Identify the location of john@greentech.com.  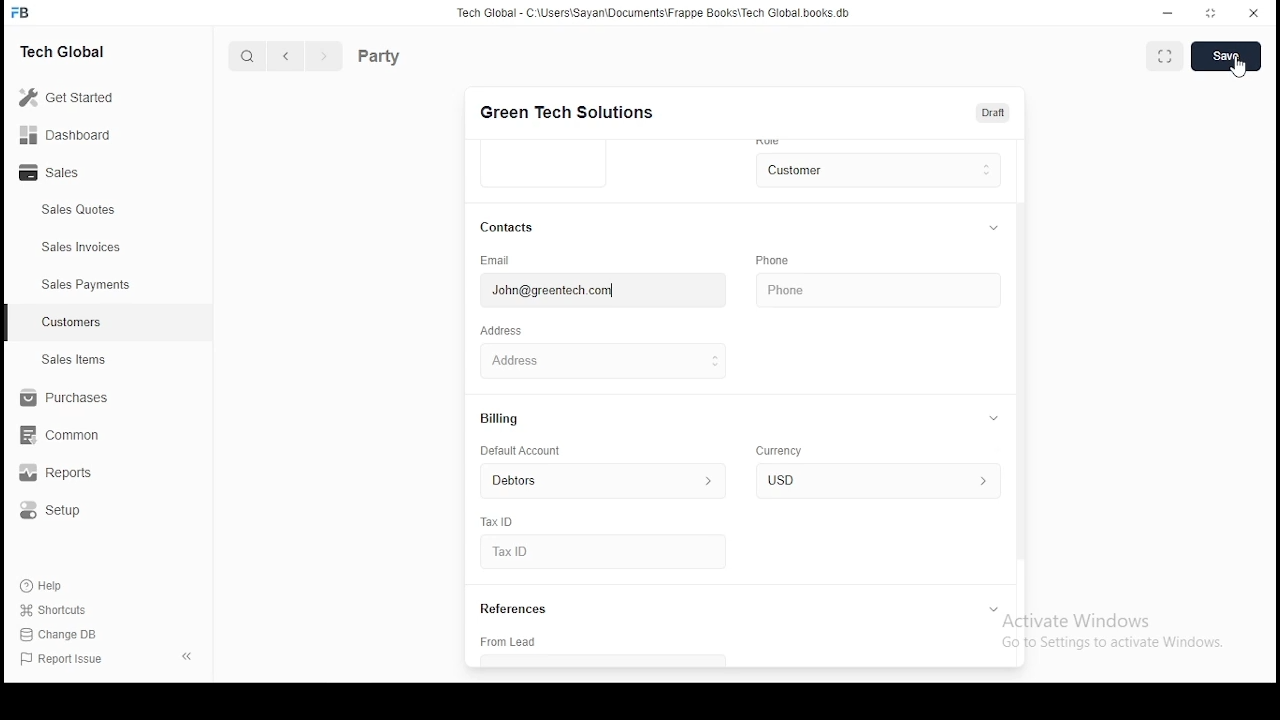
(585, 292).